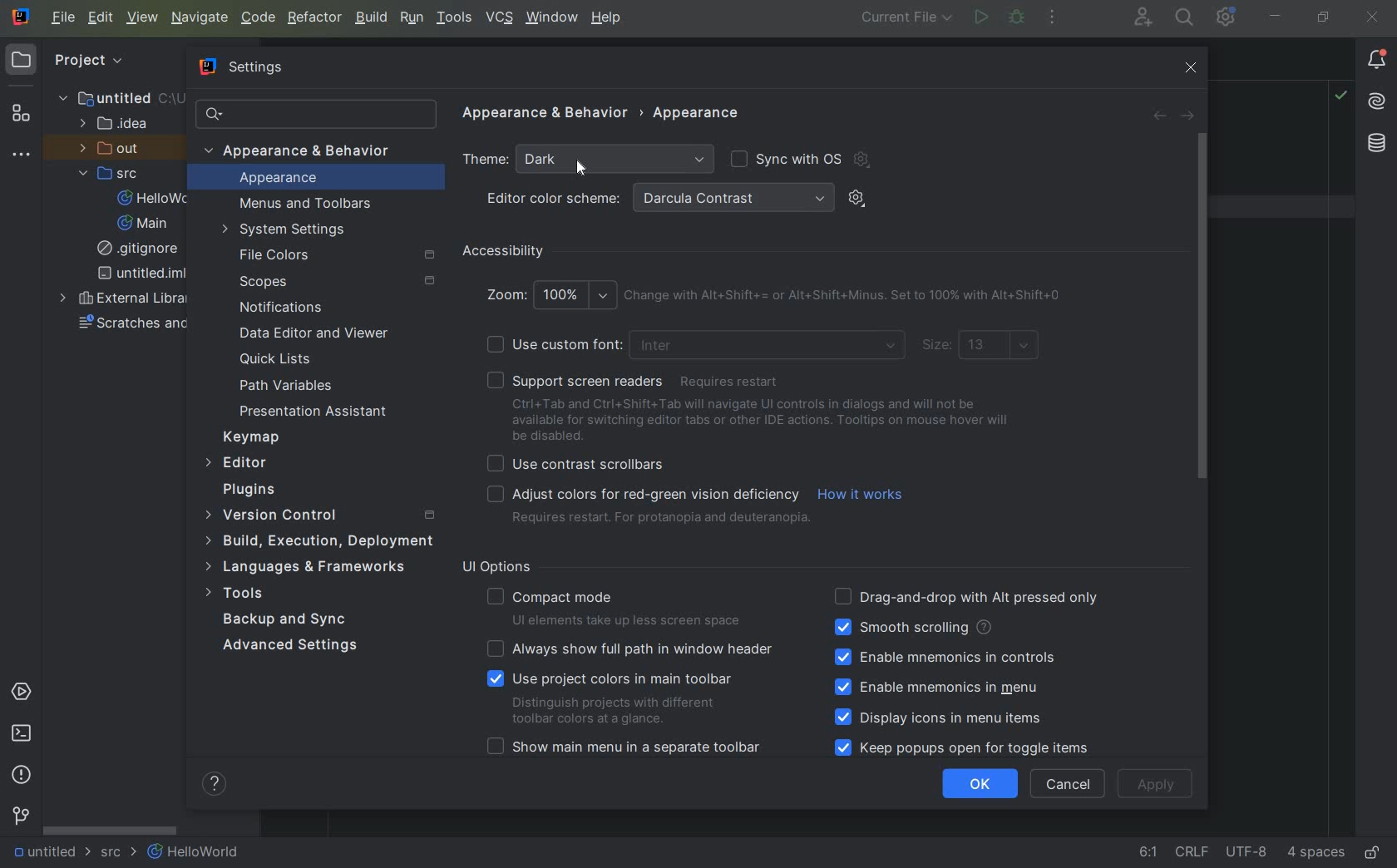  What do you see at coordinates (116, 67) in the screenshot?
I see `Project(MAIN MENU)` at bounding box center [116, 67].